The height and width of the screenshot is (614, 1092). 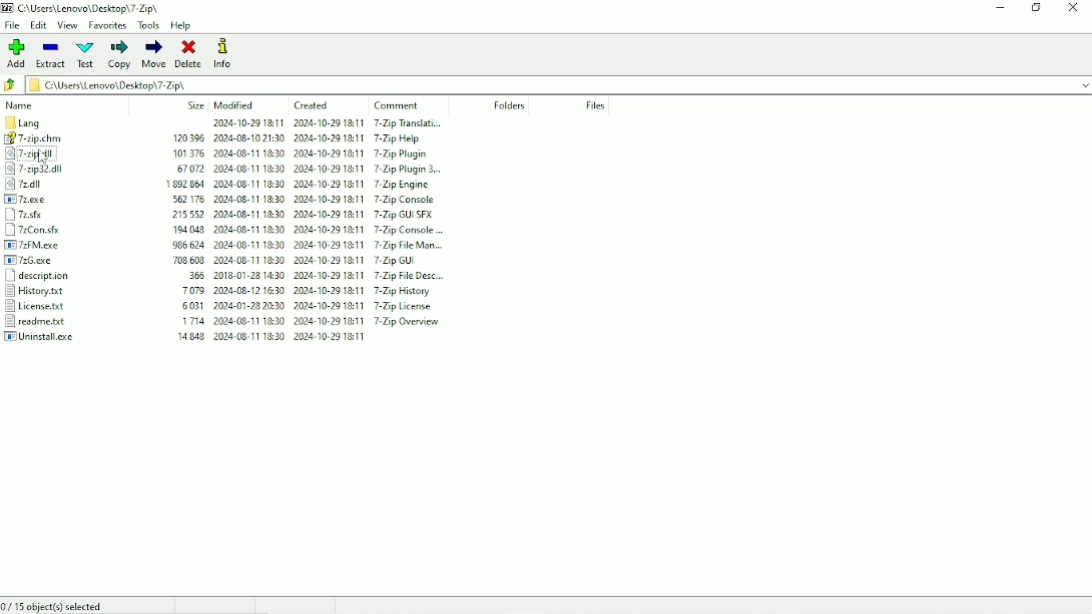 I want to click on Title, so click(x=85, y=8).